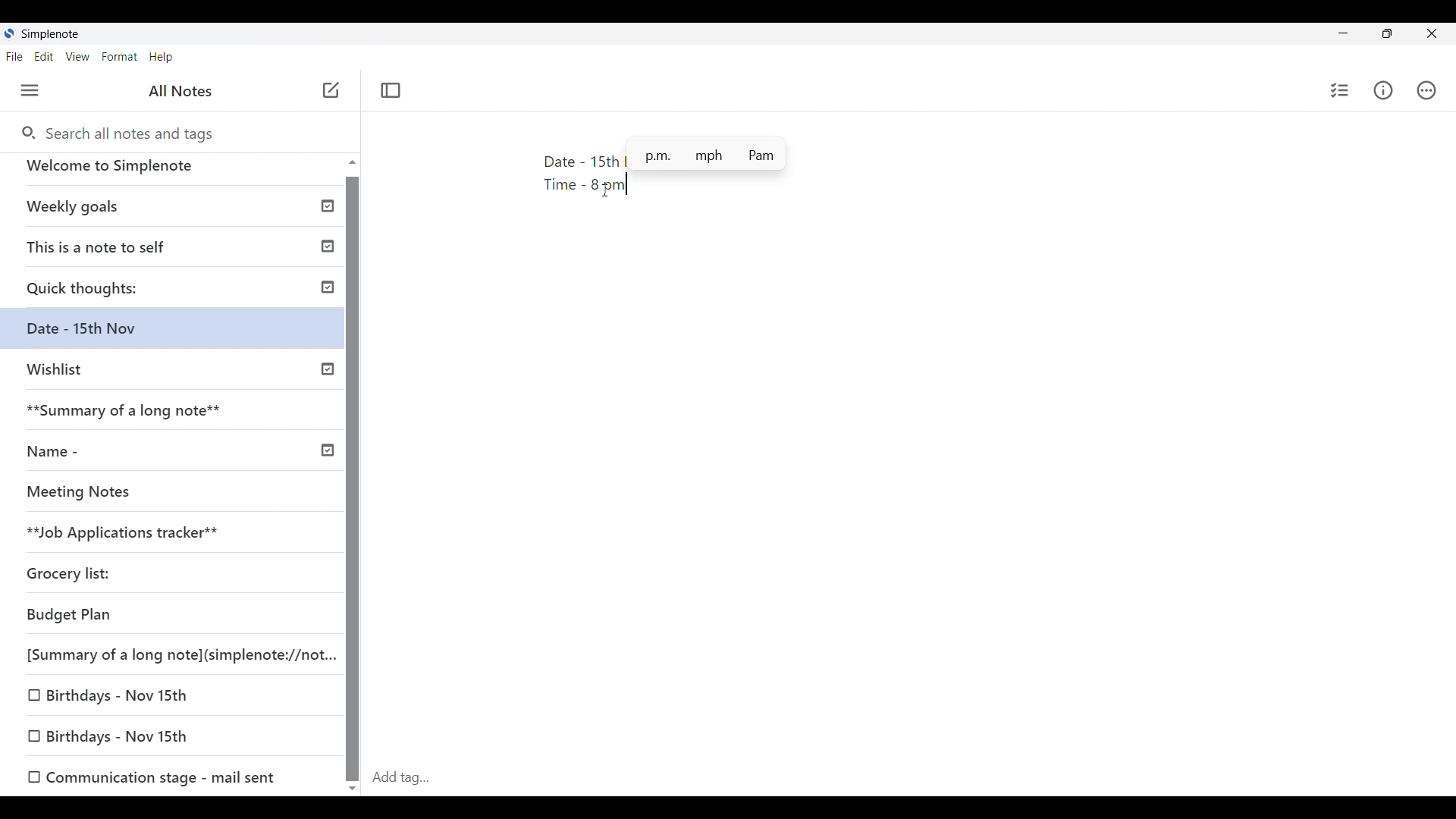  Describe the element at coordinates (391, 91) in the screenshot. I see `Toggle focus mode` at that location.